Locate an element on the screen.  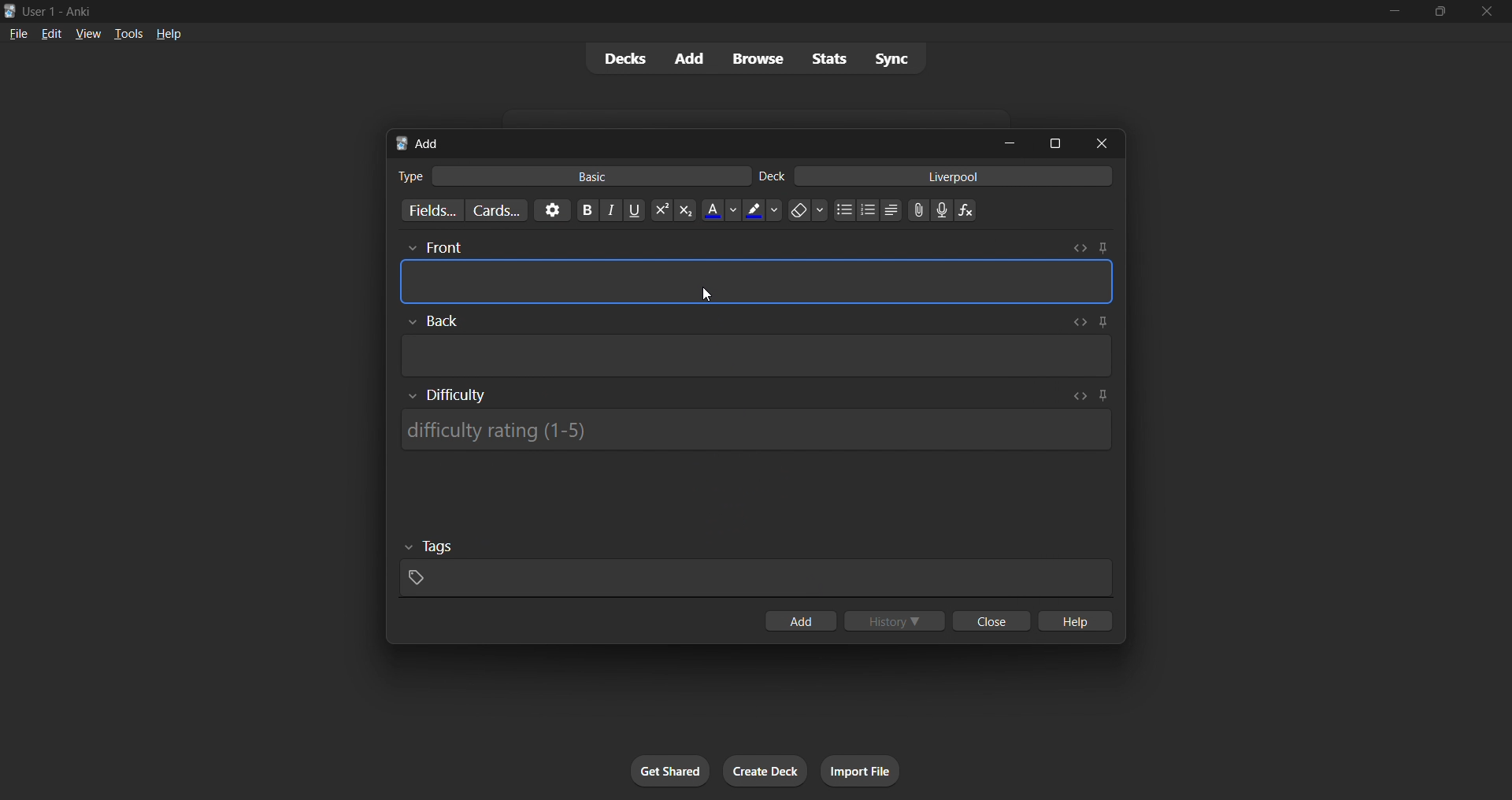
 is located at coordinates (434, 249).